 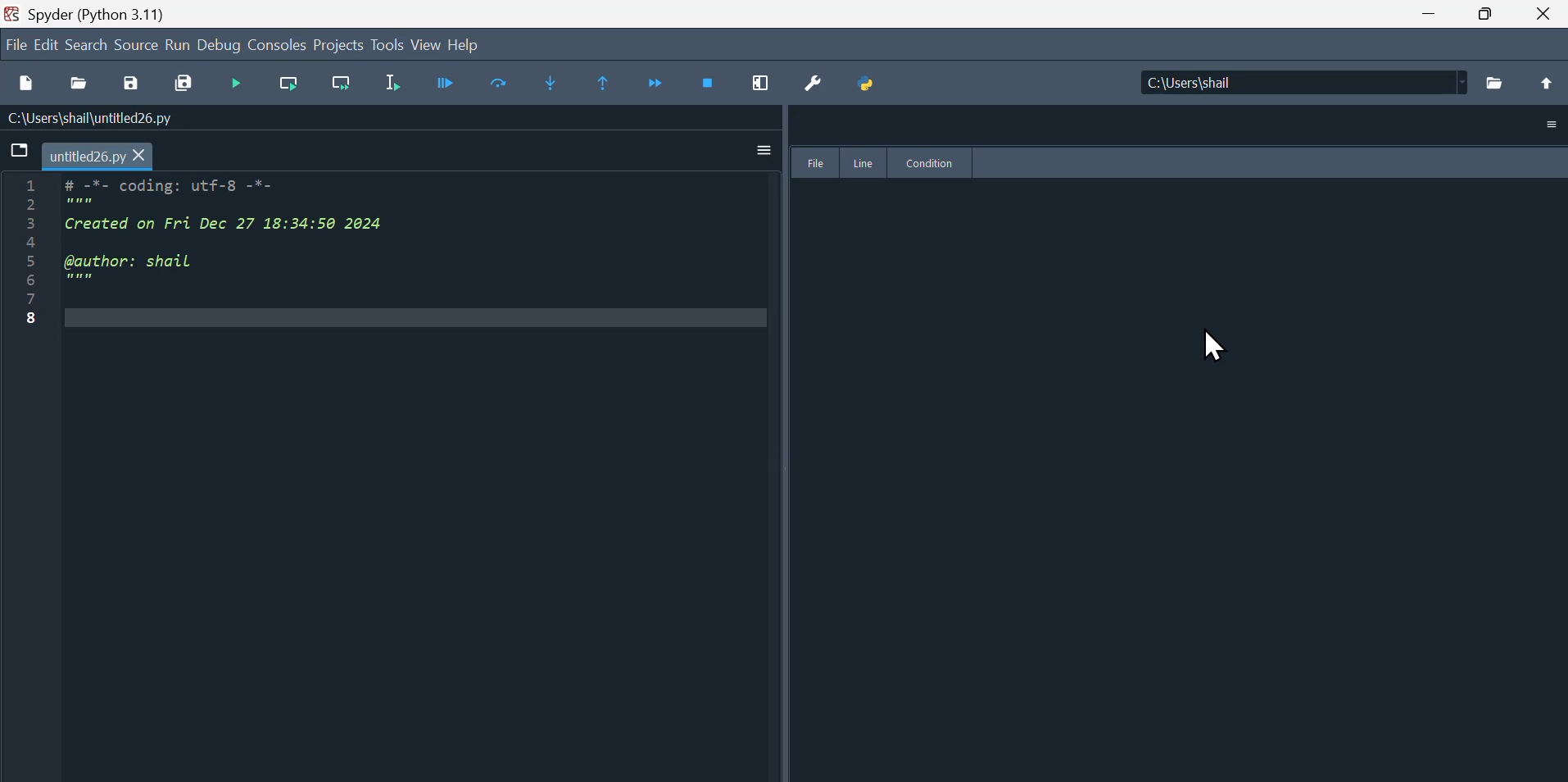 I want to click on 1 # -*- coding: utf-8 -*-

PR

3 Created on Fri Dec 27 18:34:50 2024
4

5  @author: shail

5 mmm

7:

8, so click(x=236, y=259).